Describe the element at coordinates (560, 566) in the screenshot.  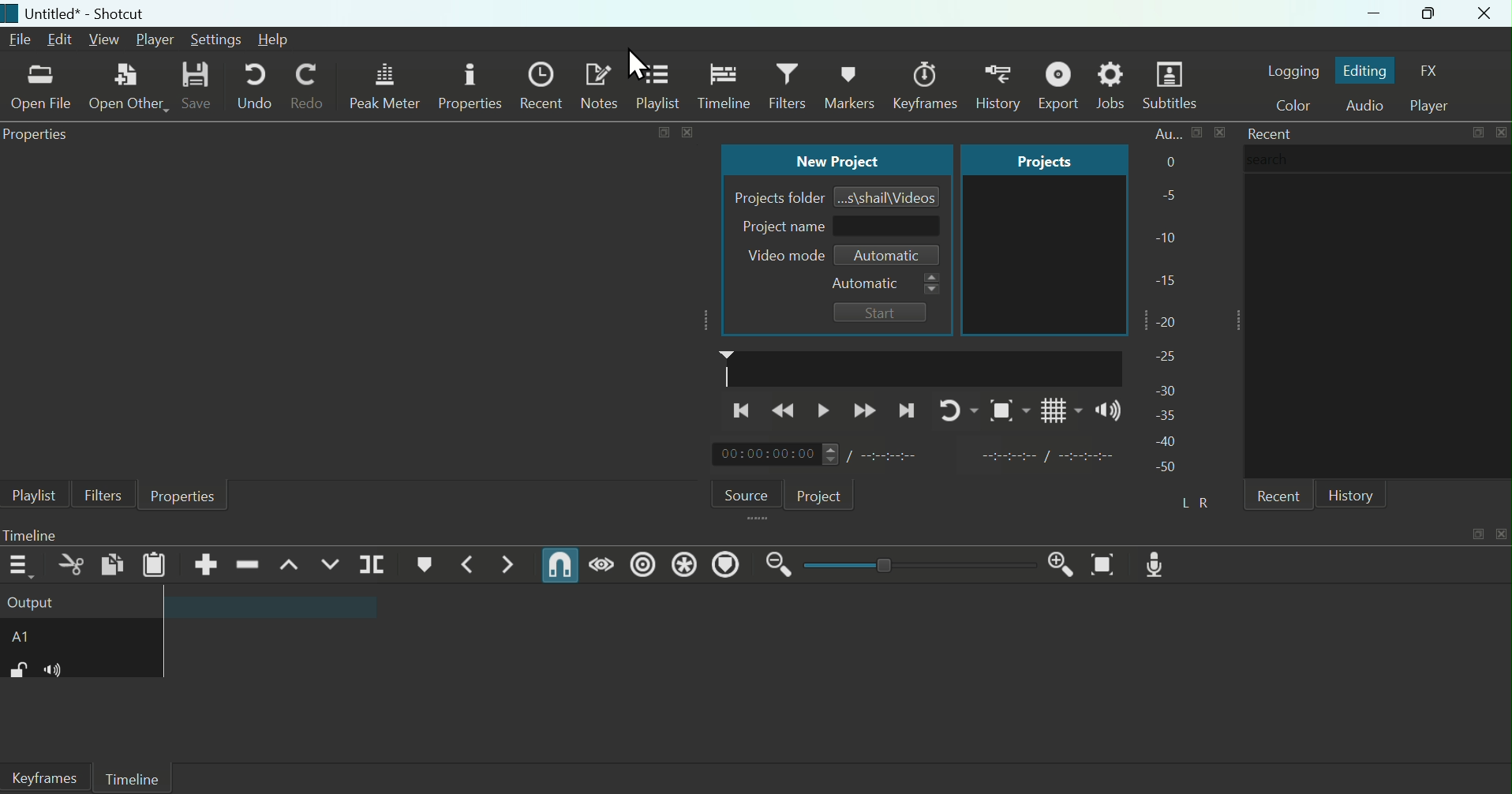
I see `Snap` at that location.